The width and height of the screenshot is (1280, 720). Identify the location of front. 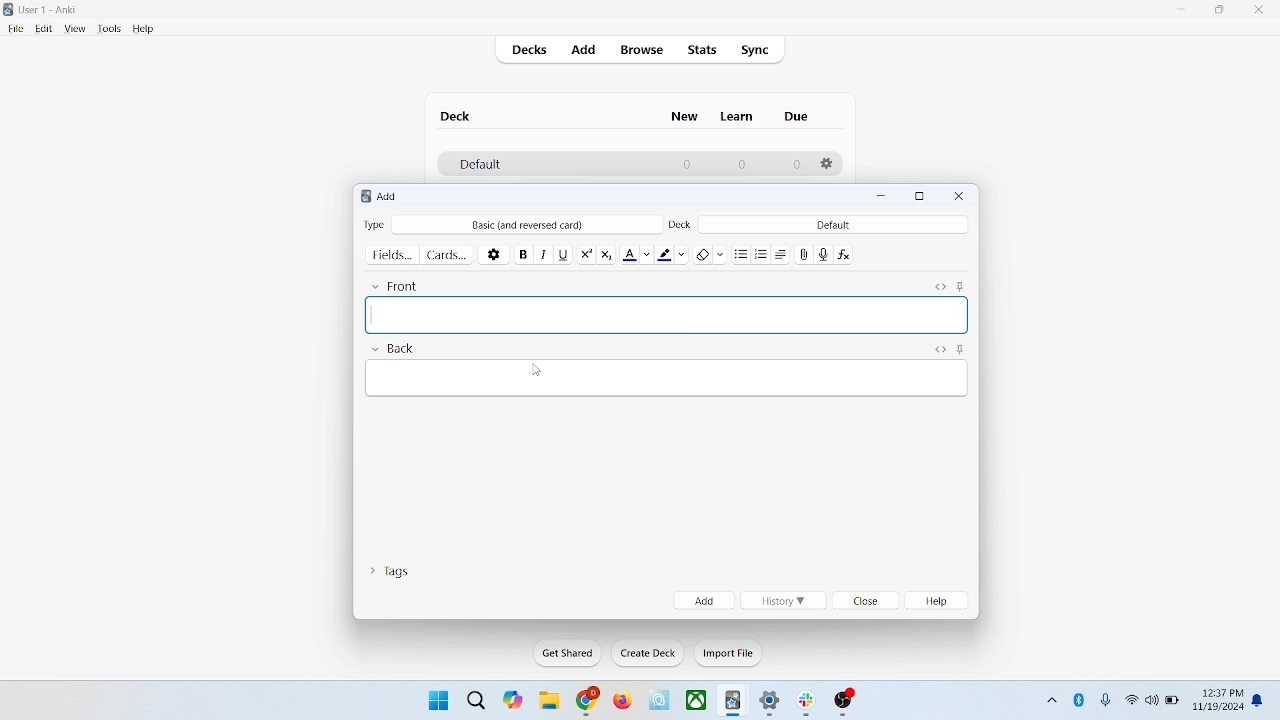
(399, 283).